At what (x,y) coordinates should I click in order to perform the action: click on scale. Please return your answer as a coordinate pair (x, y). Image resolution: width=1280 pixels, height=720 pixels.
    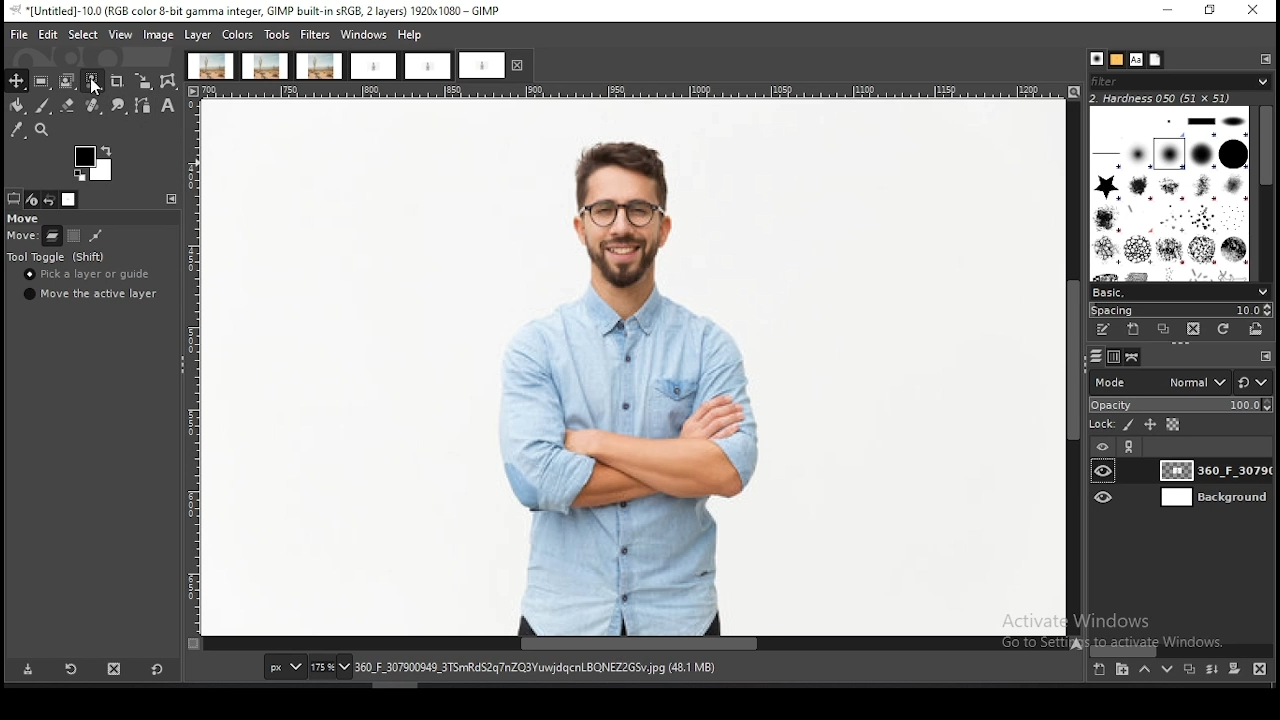
    Looking at the image, I should click on (637, 92).